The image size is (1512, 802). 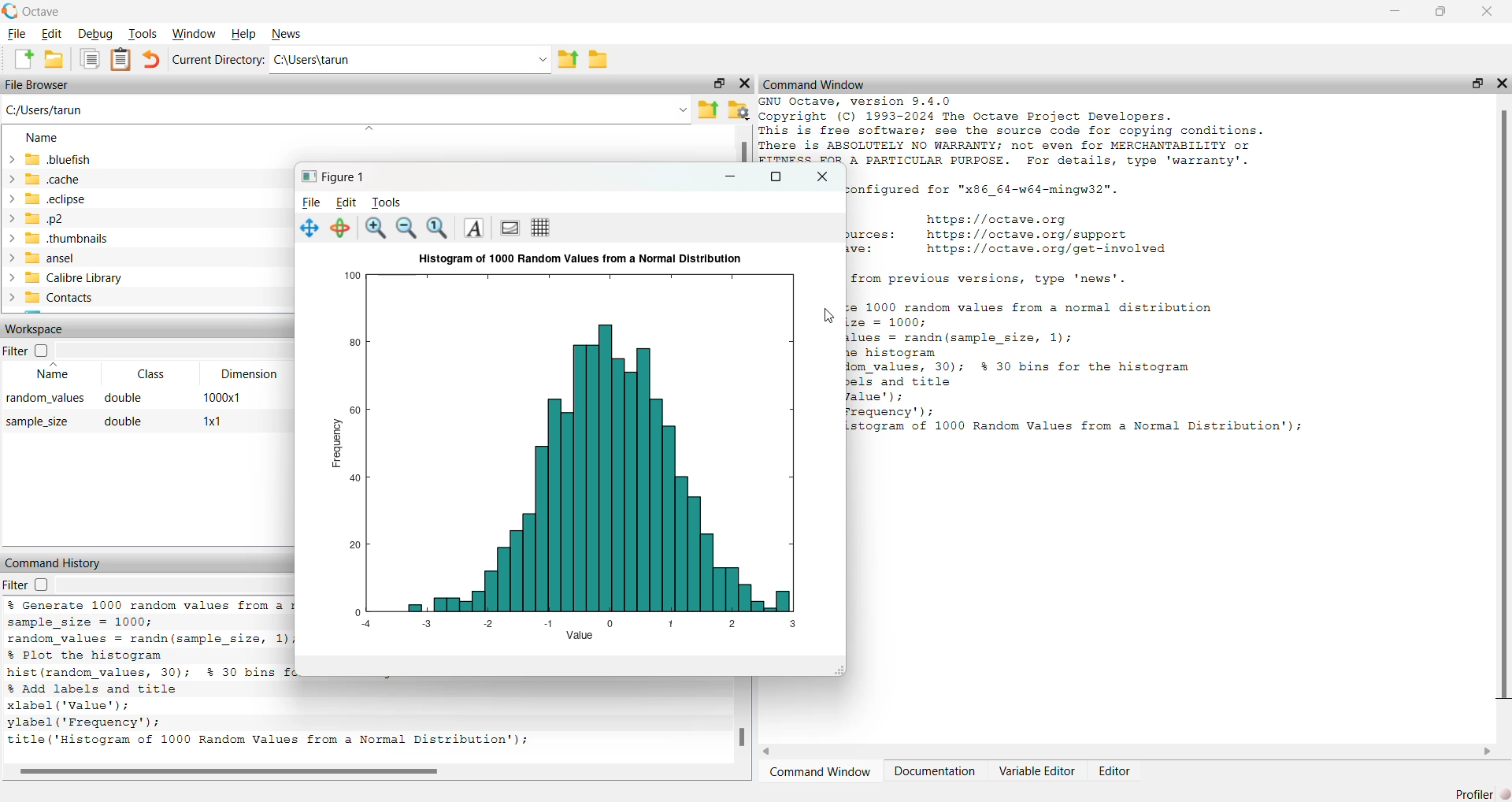 What do you see at coordinates (1027, 233) in the screenshot?
I see `https://octave.org/support` at bounding box center [1027, 233].